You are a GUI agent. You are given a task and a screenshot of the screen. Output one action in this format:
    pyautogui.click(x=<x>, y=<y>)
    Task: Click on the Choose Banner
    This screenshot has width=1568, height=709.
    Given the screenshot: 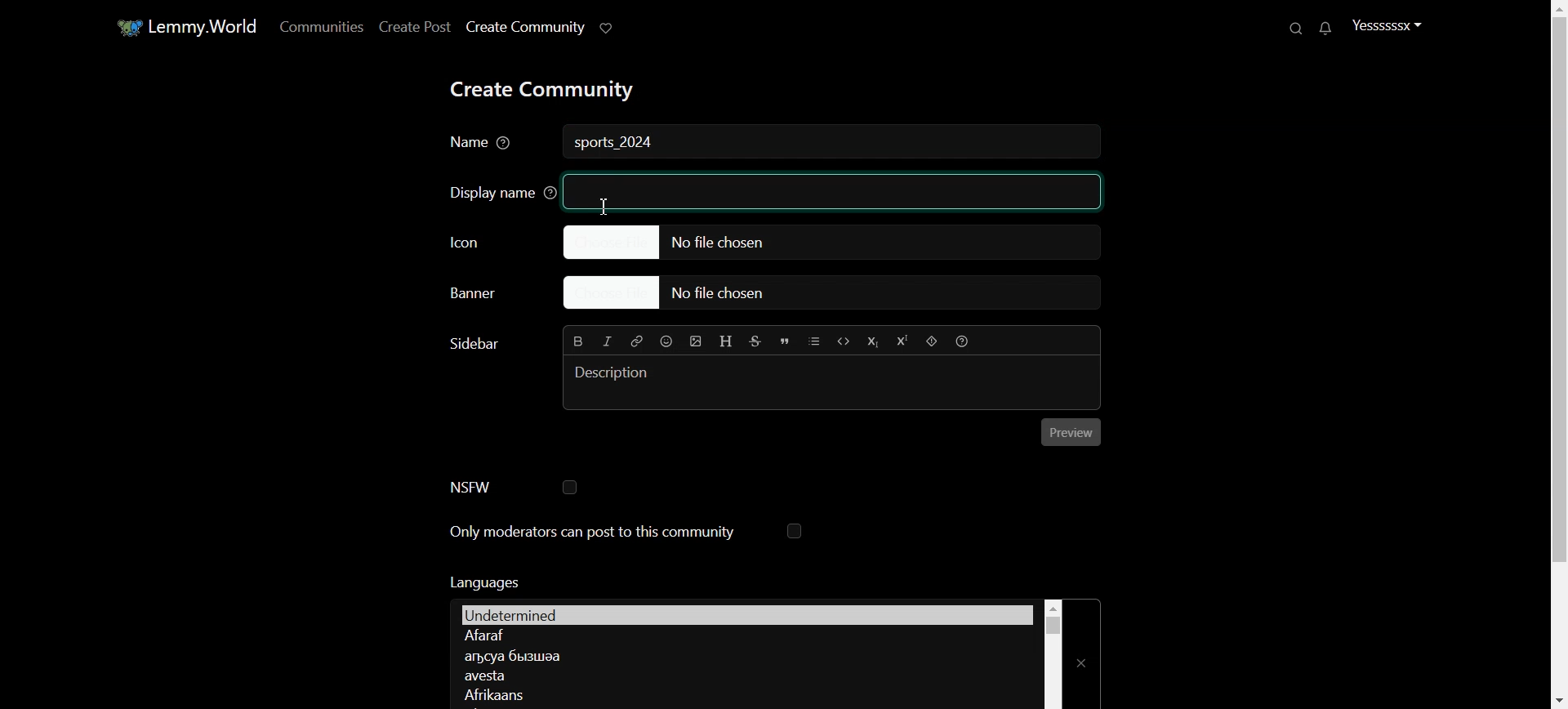 What is the action you would take?
    pyautogui.click(x=487, y=296)
    